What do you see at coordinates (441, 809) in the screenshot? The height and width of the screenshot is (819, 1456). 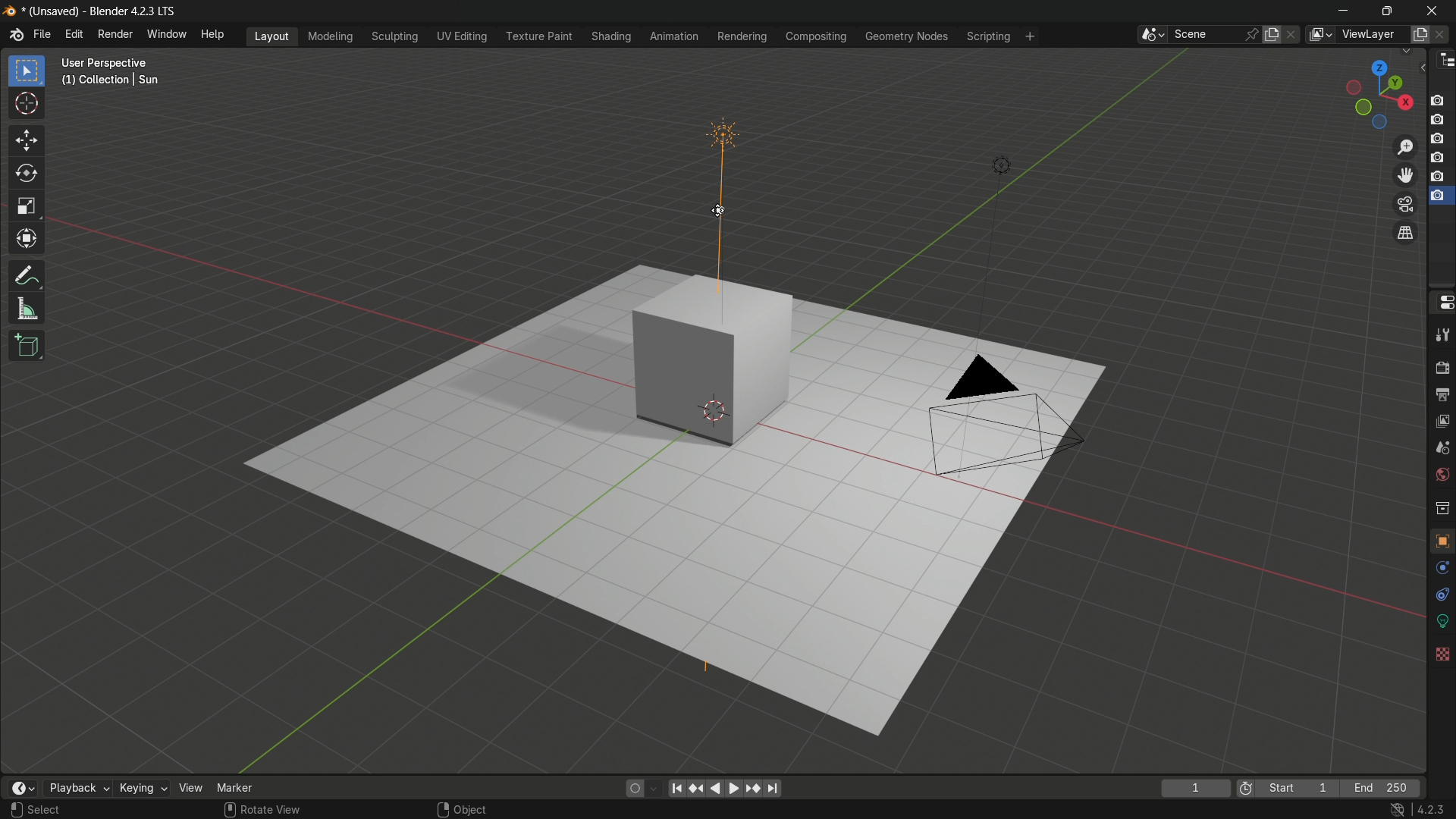 I see `right click` at bounding box center [441, 809].